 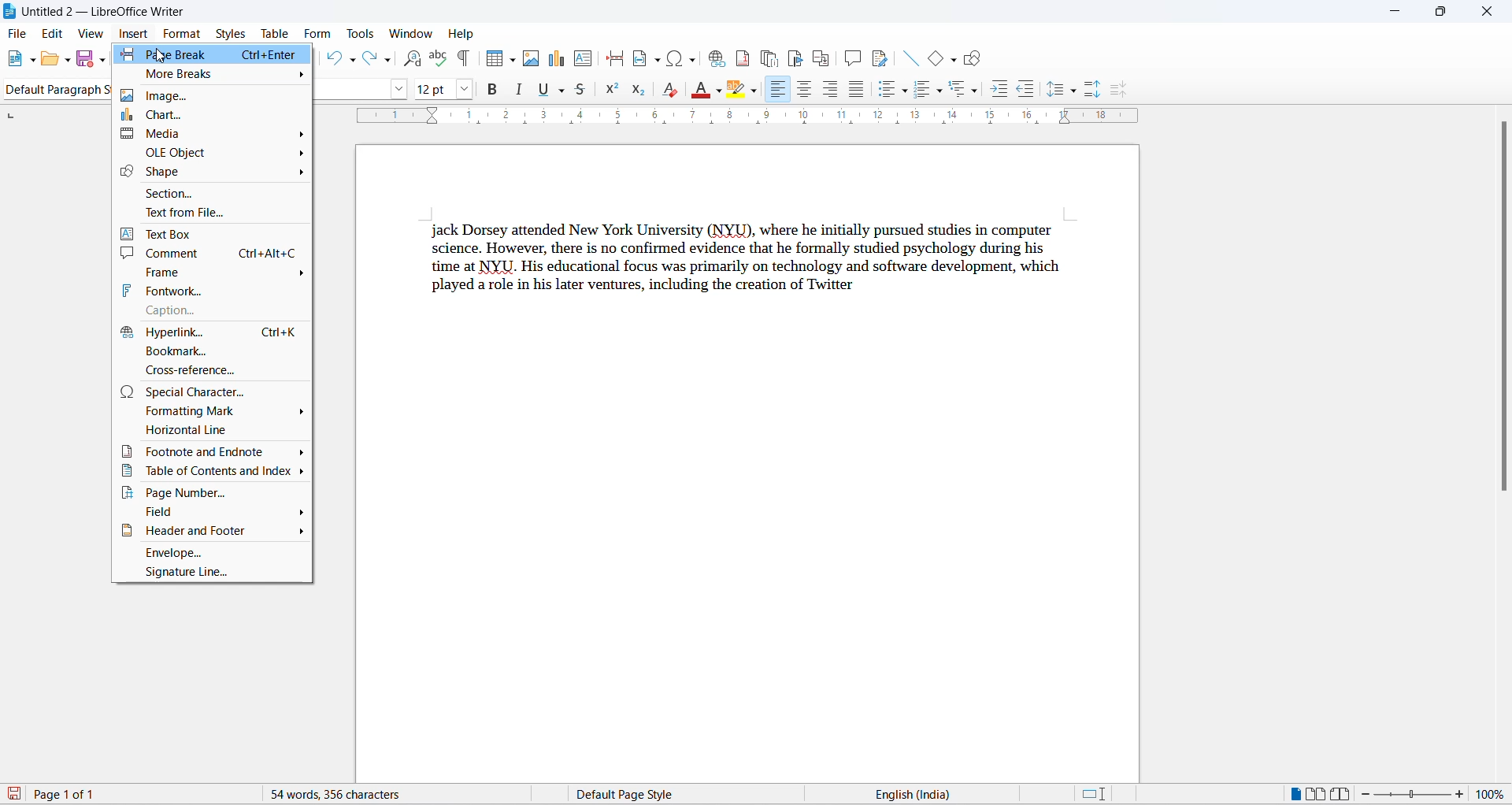 I want to click on line spacing options, so click(x=1077, y=92).